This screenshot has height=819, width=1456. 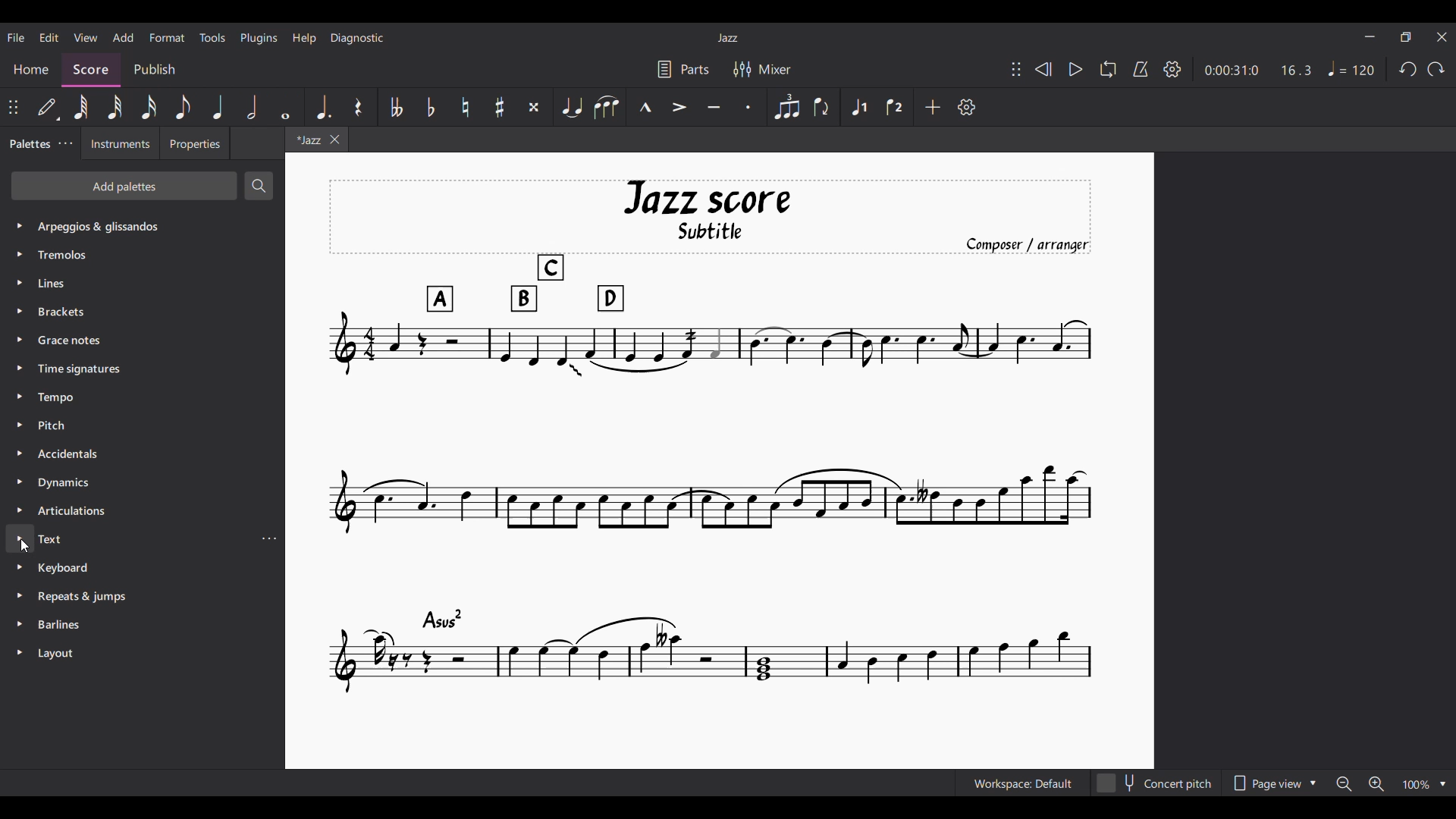 What do you see at coordinates (213, 38) in the screenshot?
I see `Tools menu` at bounding box center [213, 38].